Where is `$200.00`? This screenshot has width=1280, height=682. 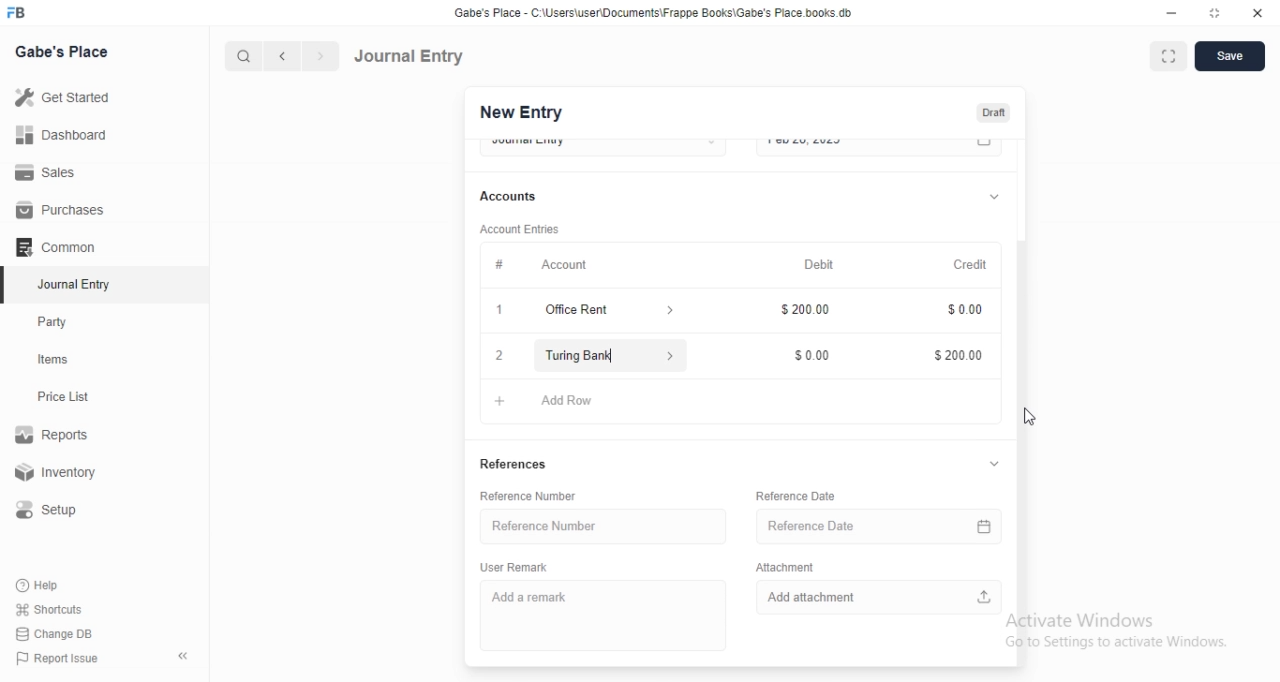
$200.00 is located at coordinates (957, 357).